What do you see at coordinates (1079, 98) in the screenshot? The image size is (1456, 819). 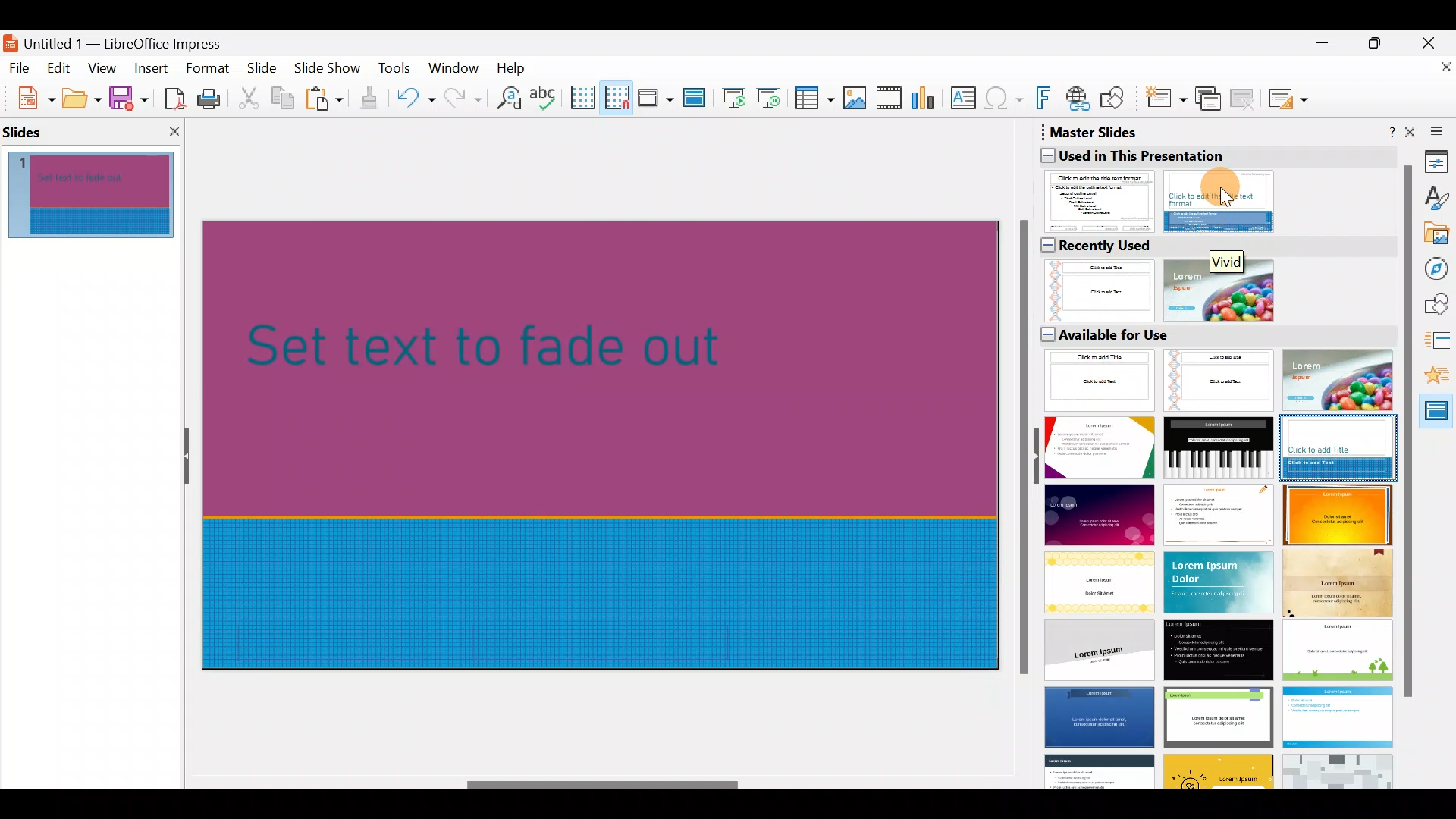 I see `Insert hyperlink` at bounding box center [1079, 98].